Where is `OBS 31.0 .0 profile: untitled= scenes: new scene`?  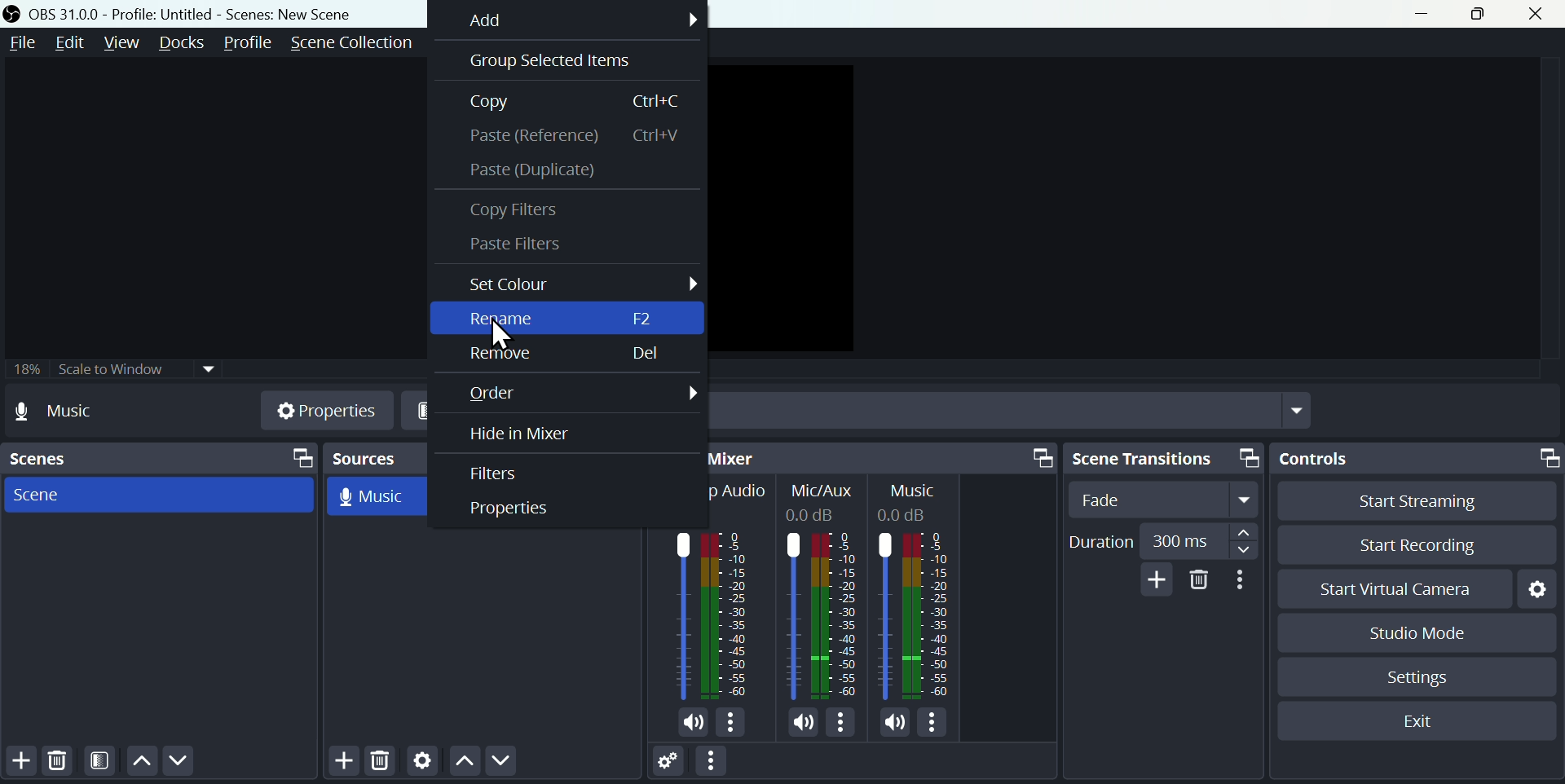 OBS 31.0 .0 profile: untitled= scenes: new scene is located at coordinates (184, 12).